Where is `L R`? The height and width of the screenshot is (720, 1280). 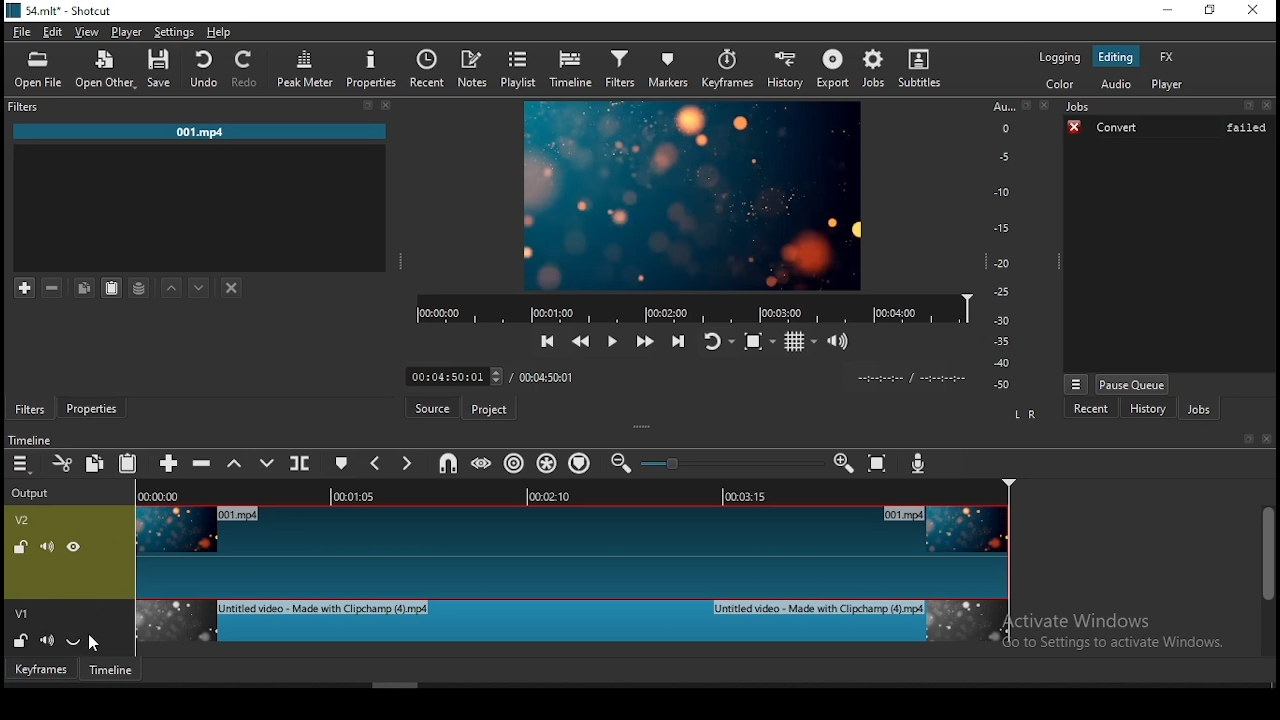 L R is located at coordinates (1024, 415).